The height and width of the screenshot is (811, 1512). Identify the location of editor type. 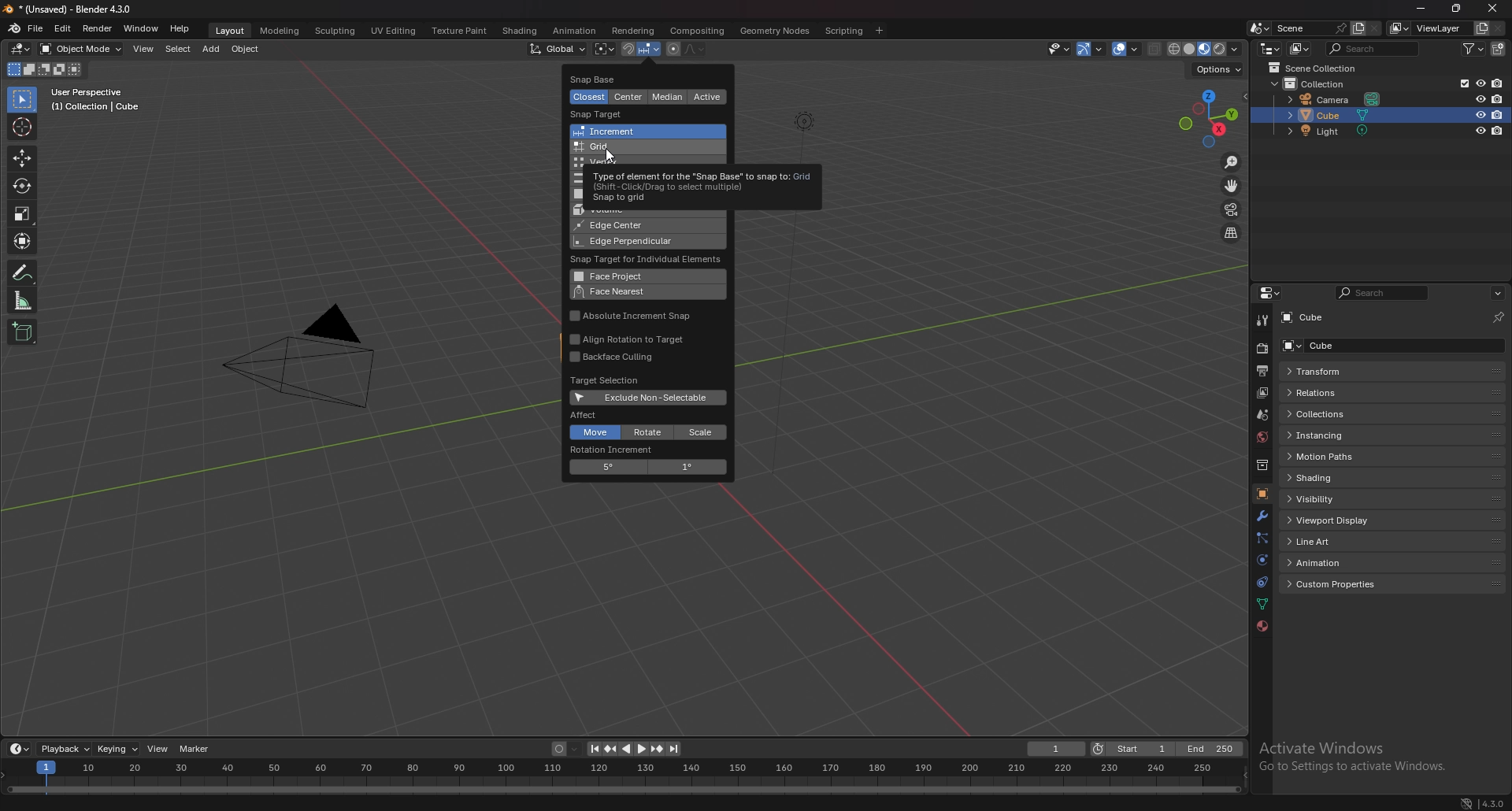
(22, 49).